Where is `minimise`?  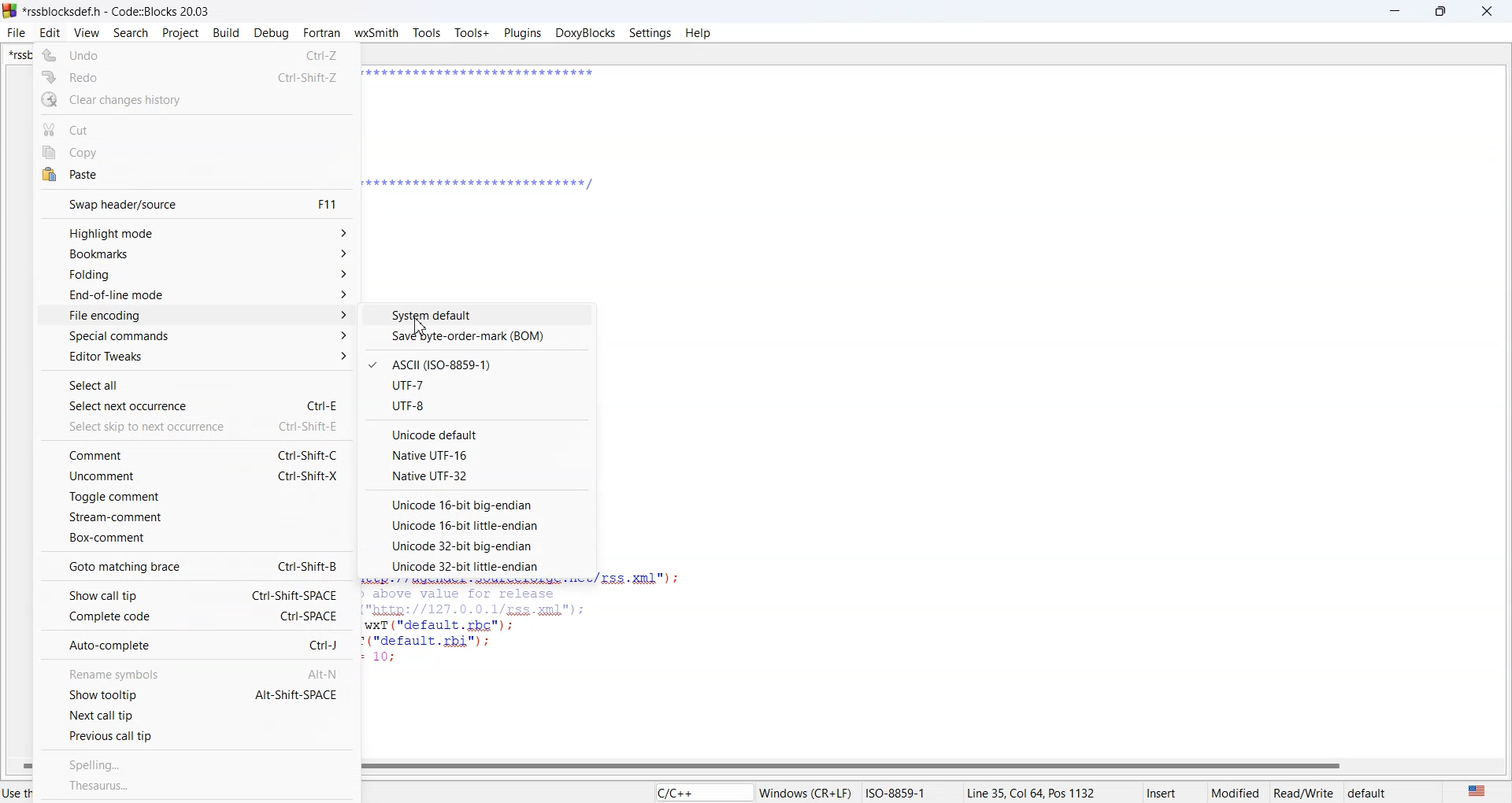
minimise is located at coordinates (1395, 11).